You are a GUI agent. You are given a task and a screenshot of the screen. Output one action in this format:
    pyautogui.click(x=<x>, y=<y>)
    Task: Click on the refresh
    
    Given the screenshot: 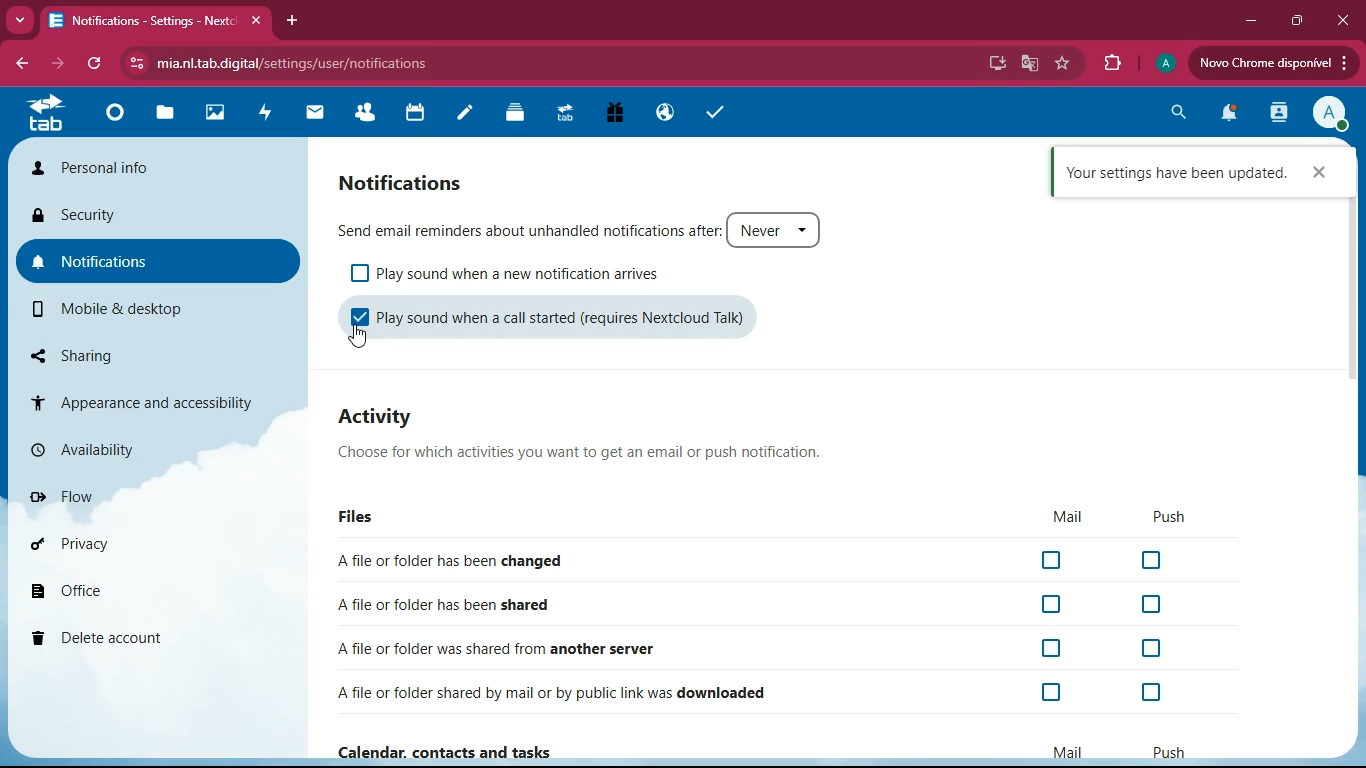 What is the action you would take?
    pyautogui.click(x=95, y=65)
    